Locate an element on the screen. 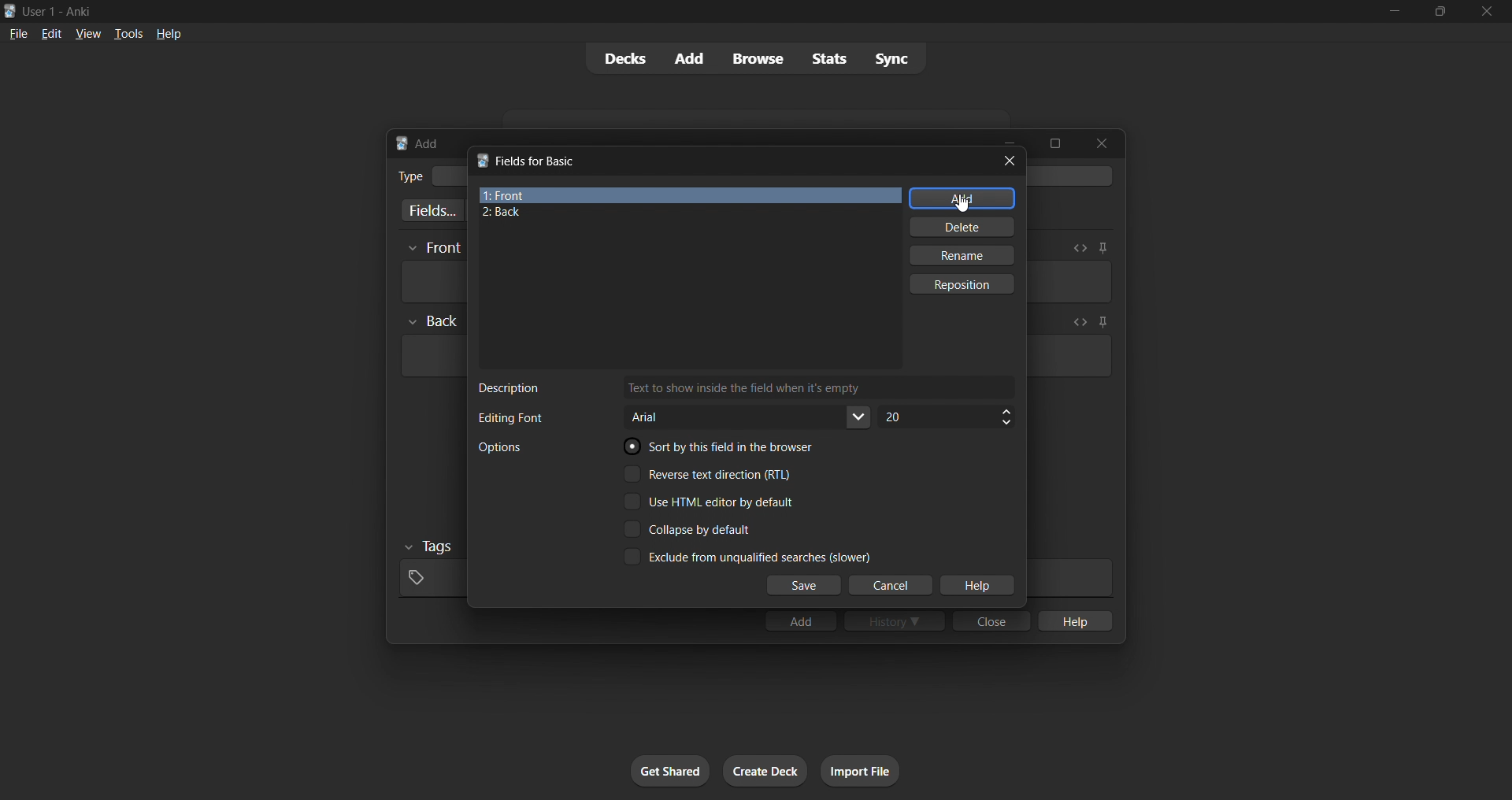 The image size is (1512, 800).  is located at coordinates (433, 321).